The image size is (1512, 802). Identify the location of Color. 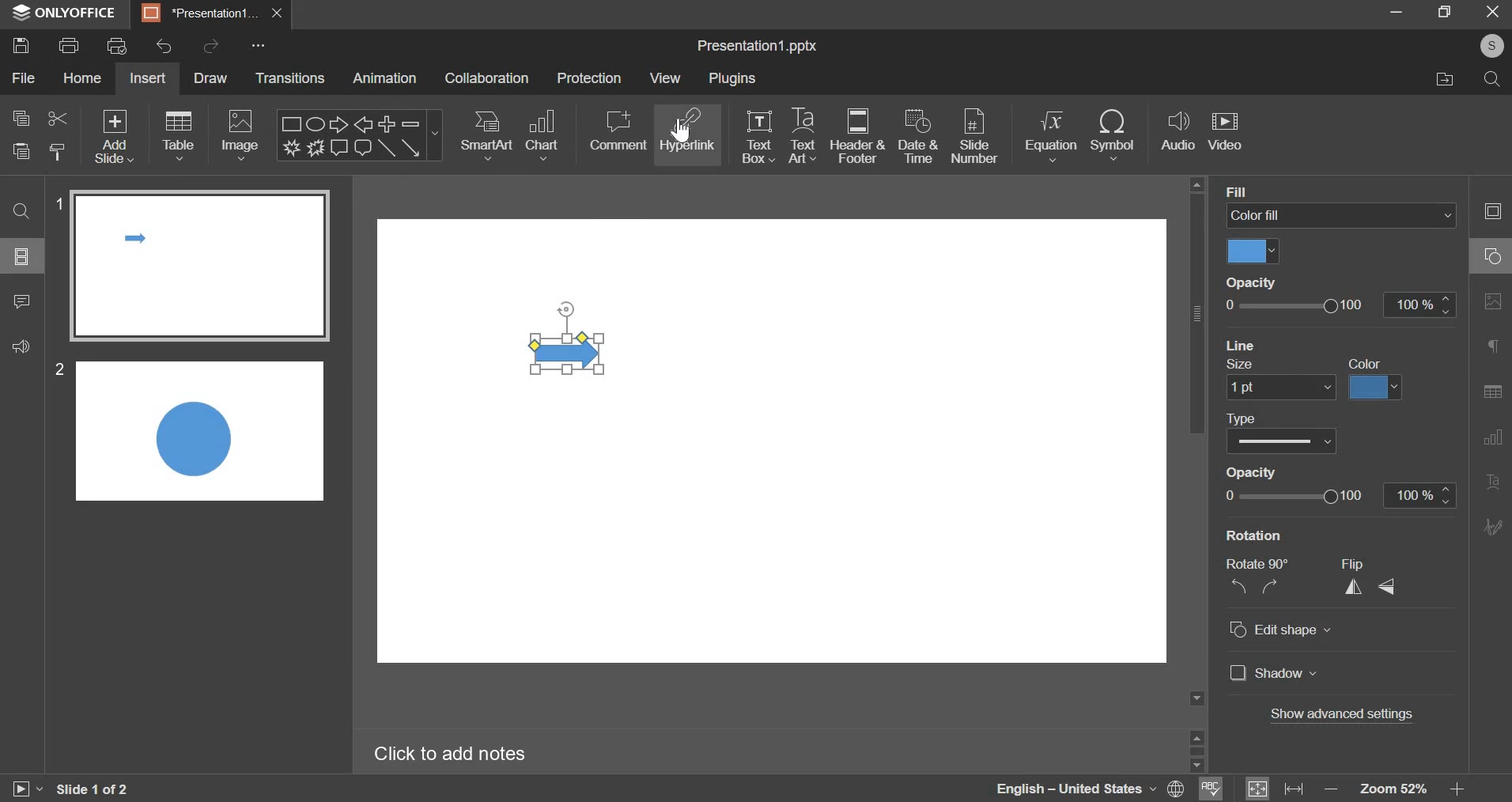
(1366, 363).